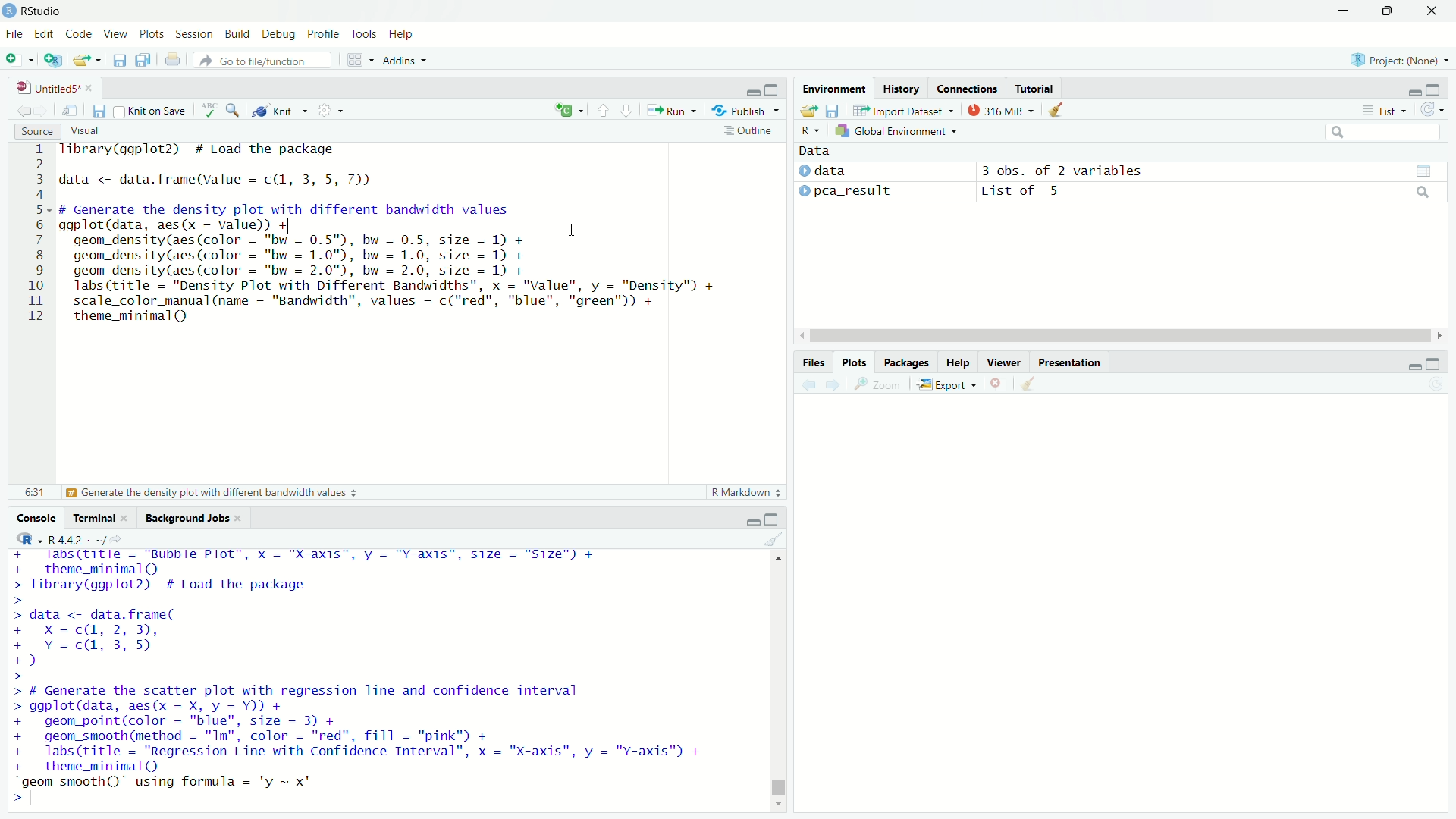 This screenshot has height=819, width=1456. What do you see at coordinates (1431, 109) in the screenshot?
I see `Refresh the list of objects in the environment` at bounding box center [1431, 109].